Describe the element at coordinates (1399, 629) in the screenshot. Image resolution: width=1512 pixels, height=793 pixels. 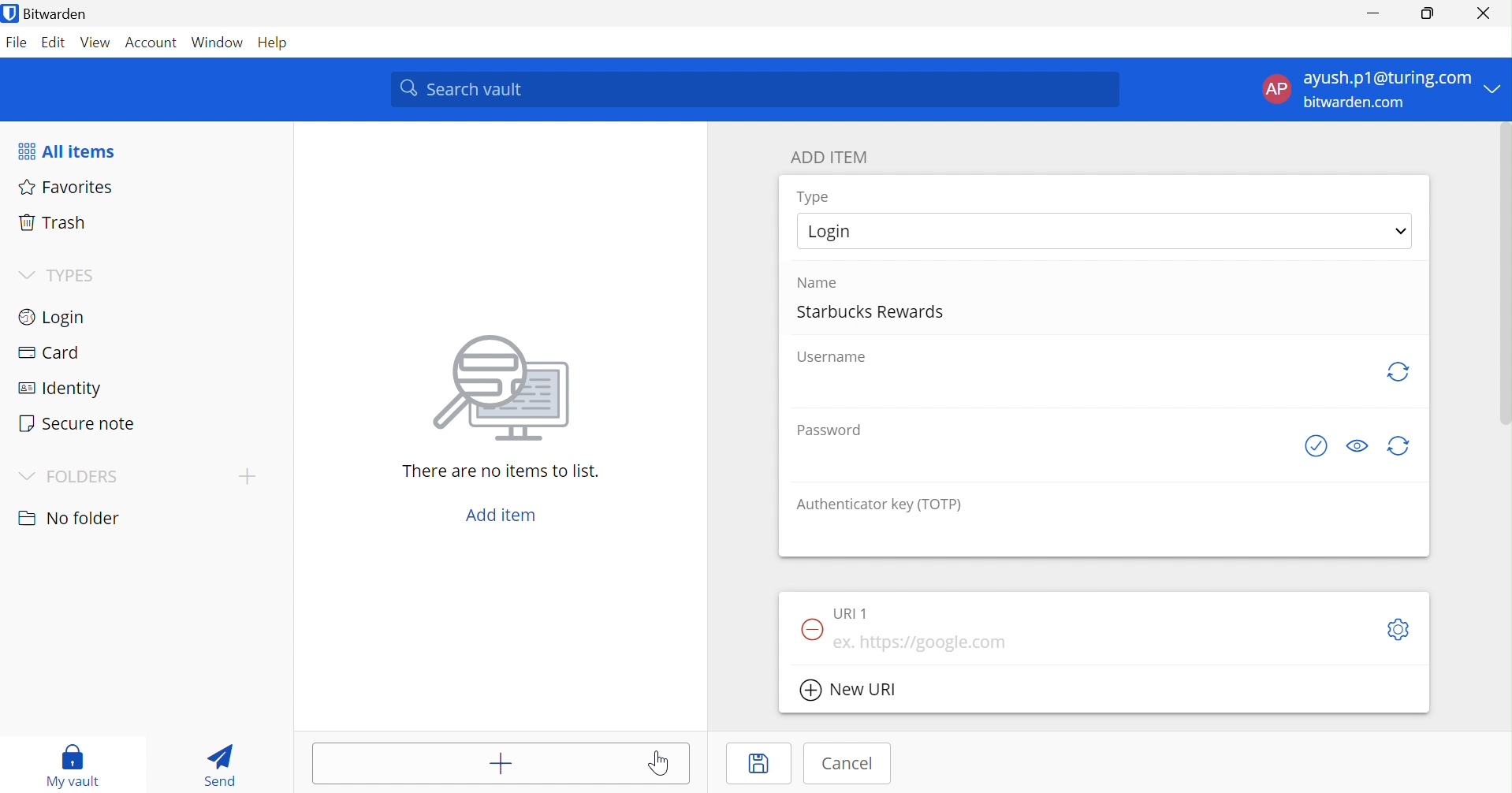
I see `Settings` at that location.